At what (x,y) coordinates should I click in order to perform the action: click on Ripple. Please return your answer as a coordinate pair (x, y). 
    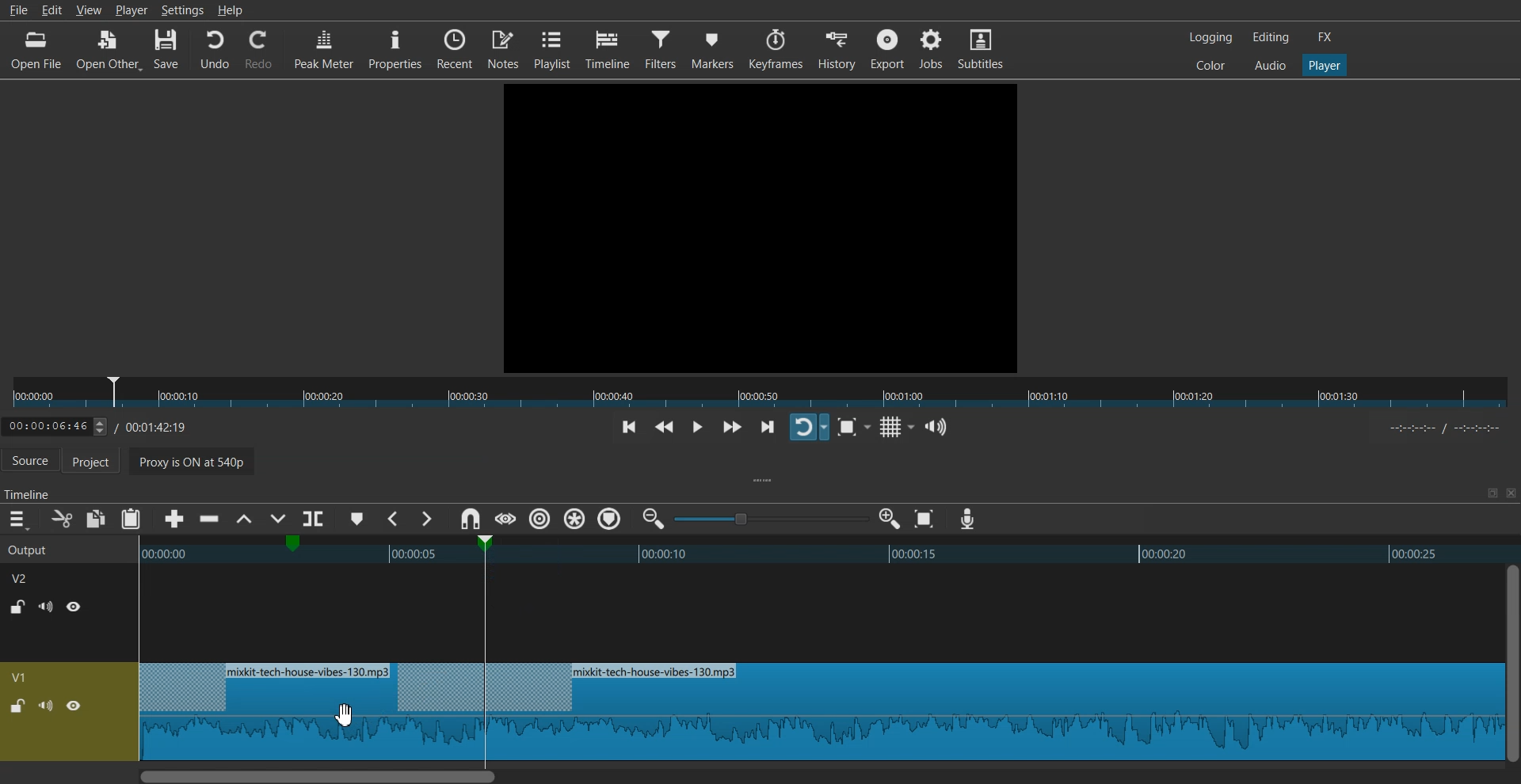
    Looking at the image, I should click on (540, 519).